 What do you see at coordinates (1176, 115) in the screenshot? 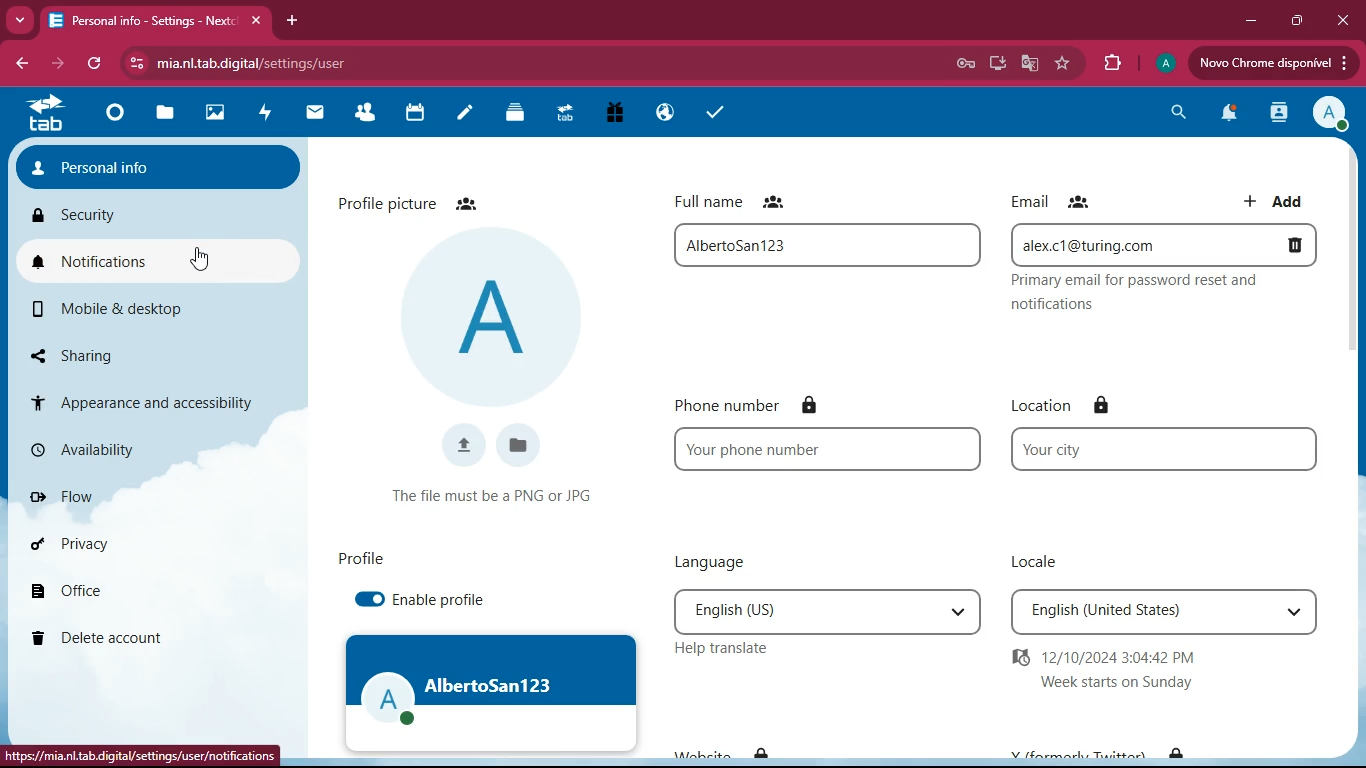
I see `search` at bounding box center [1176, 115].